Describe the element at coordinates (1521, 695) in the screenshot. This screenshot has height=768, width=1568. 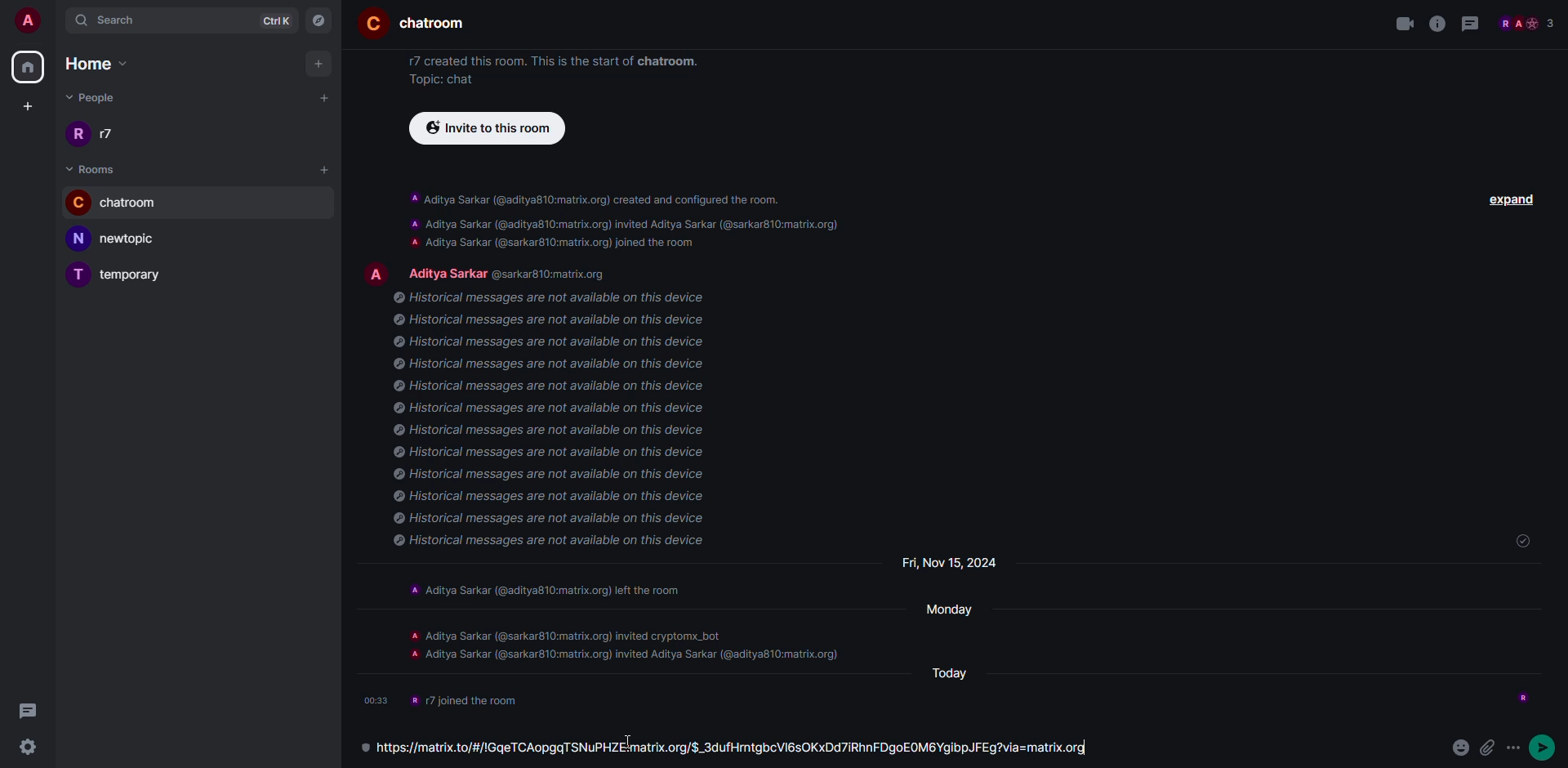
I see `seen` at that location.